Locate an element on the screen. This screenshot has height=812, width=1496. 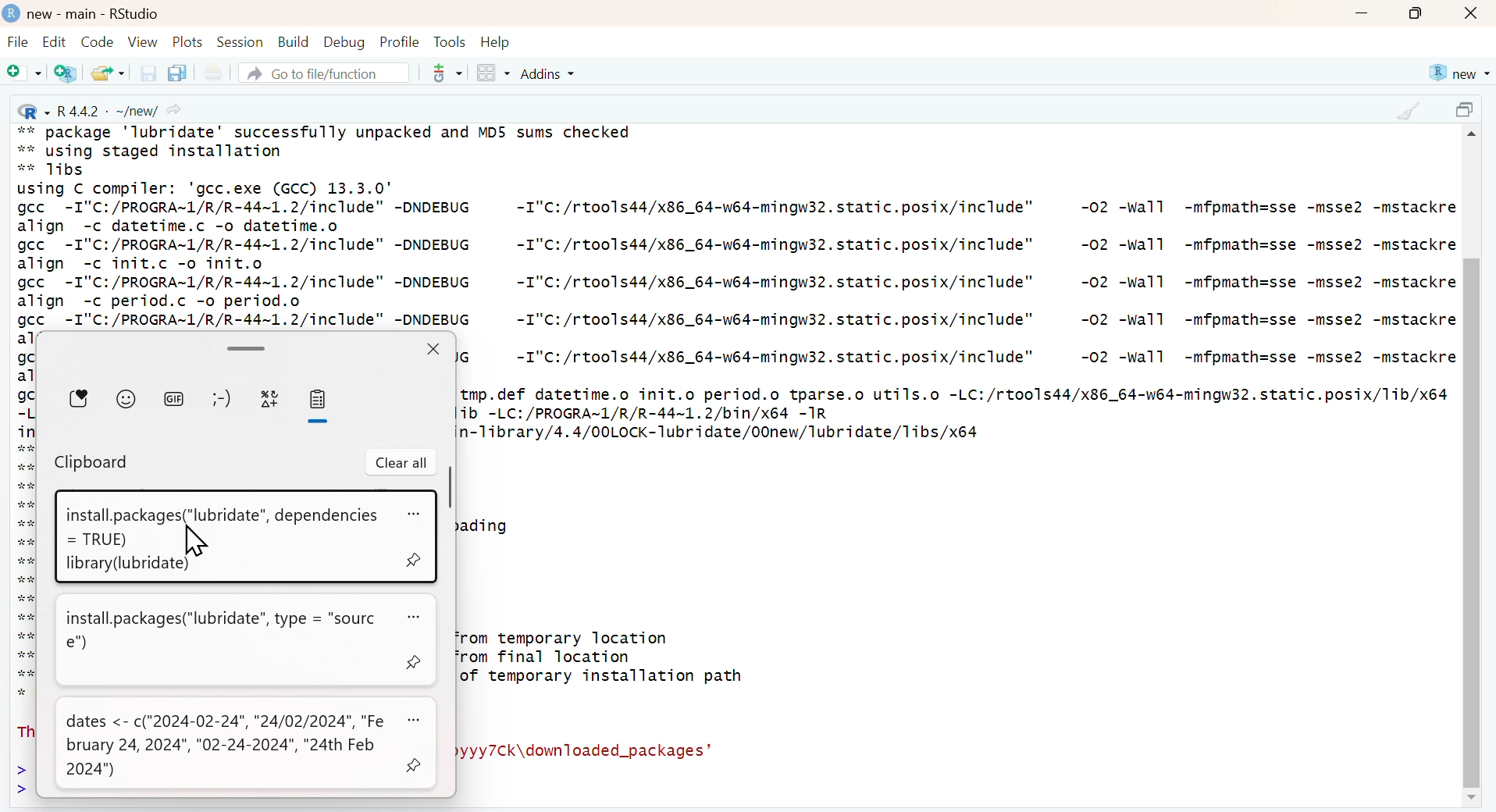
clipboard is located at coordinates (317, 400).